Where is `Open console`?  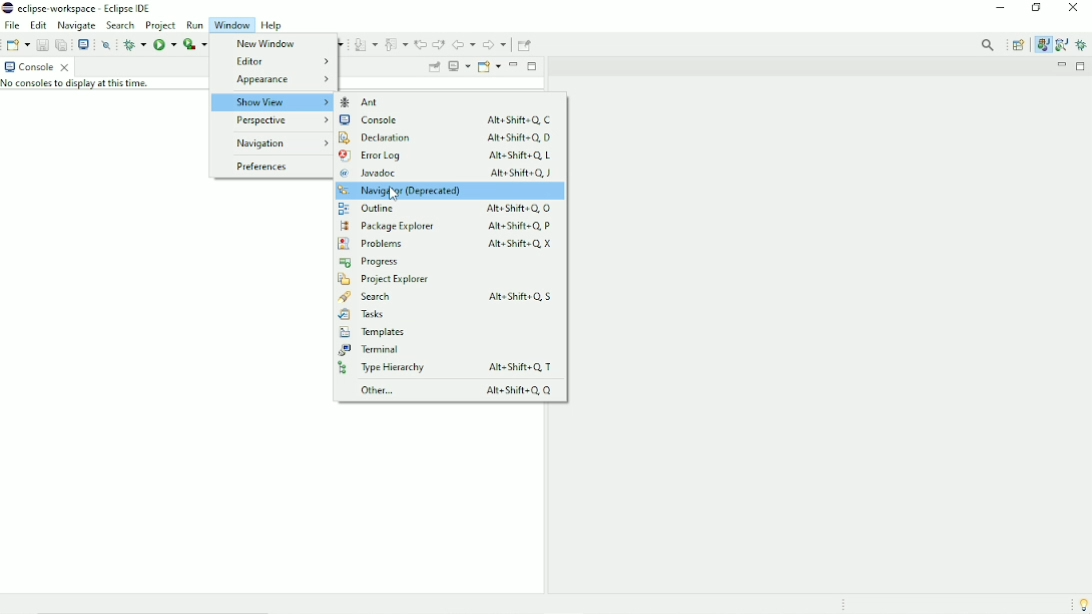
Open console is located at coordinates (489, 66).